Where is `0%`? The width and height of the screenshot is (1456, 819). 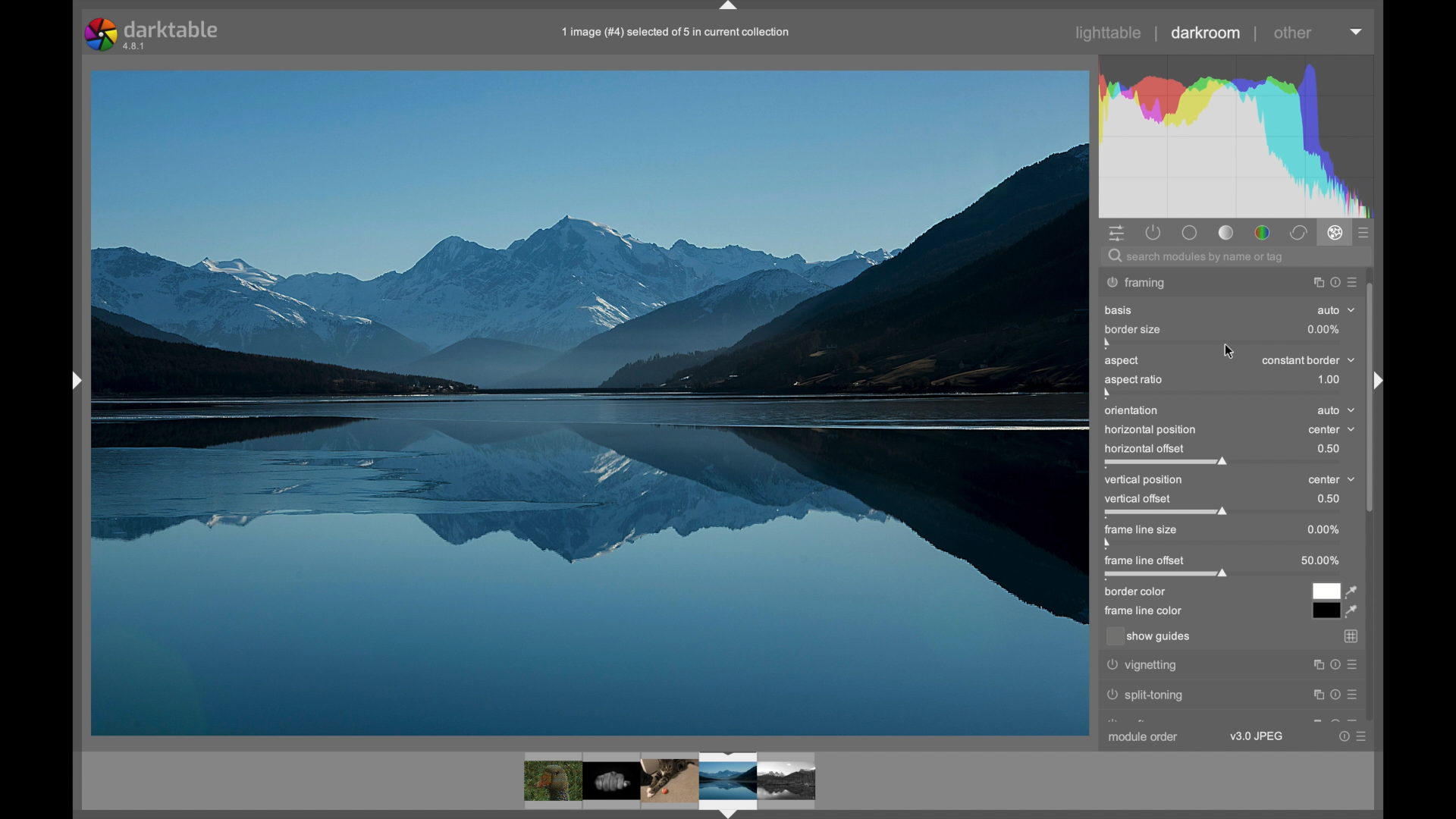 0% is located at coordinates (1324, 330).